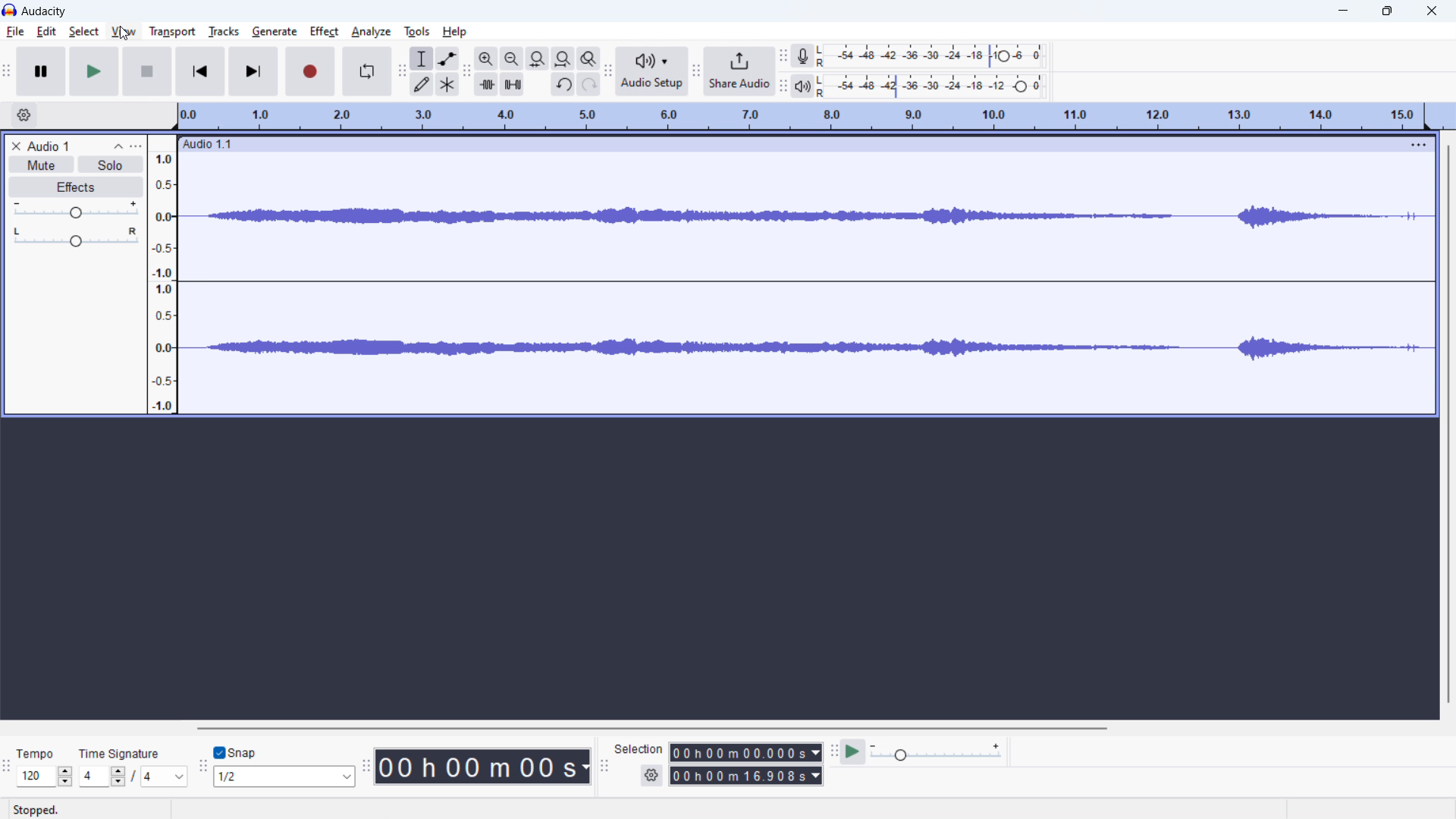 Image resolution: width=1456 pixels, height=819 pixels. I want to click on playback level, so click(937, 86).